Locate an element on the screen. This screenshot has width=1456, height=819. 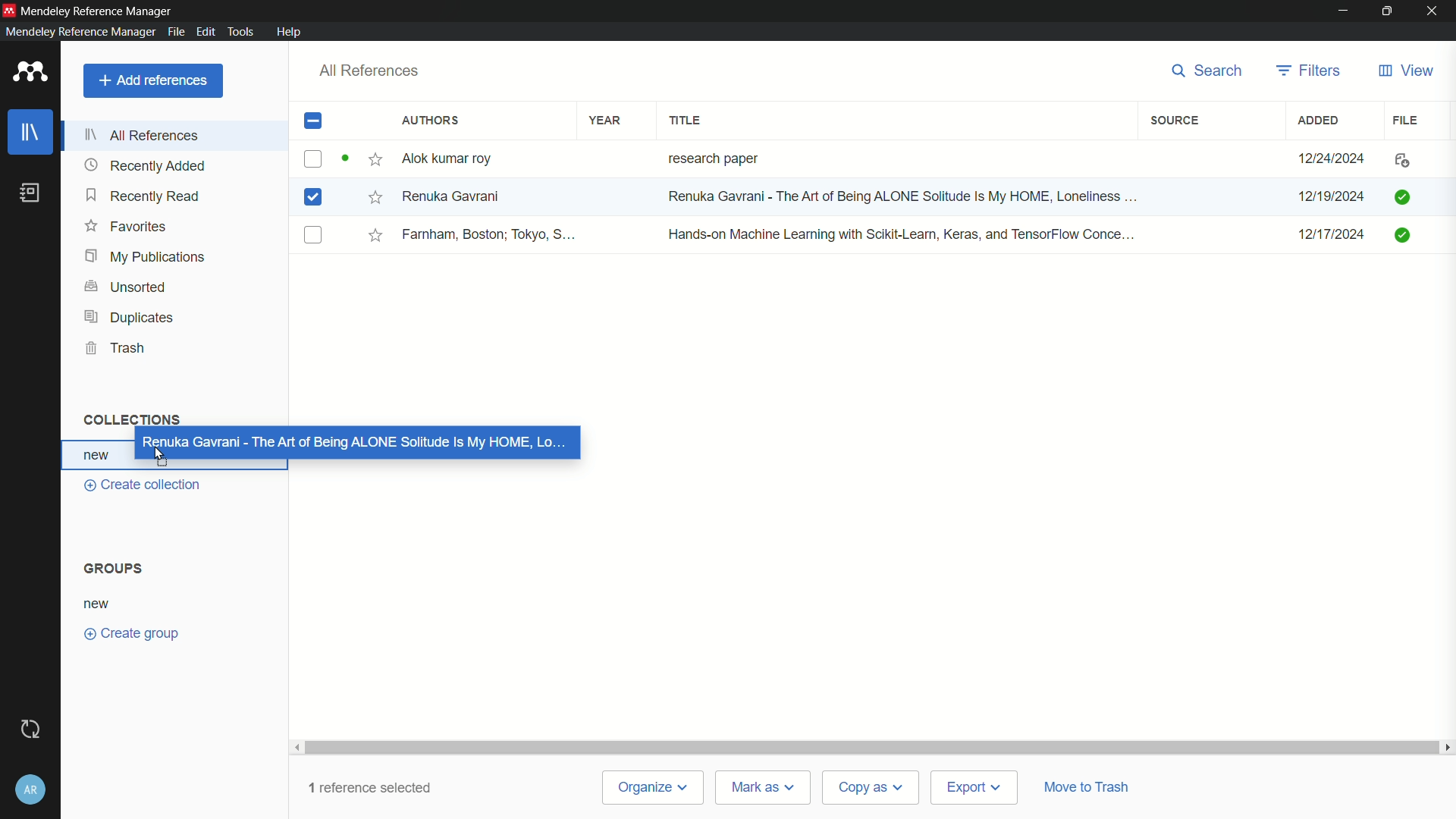
add references is located at coordinates (152, 82).